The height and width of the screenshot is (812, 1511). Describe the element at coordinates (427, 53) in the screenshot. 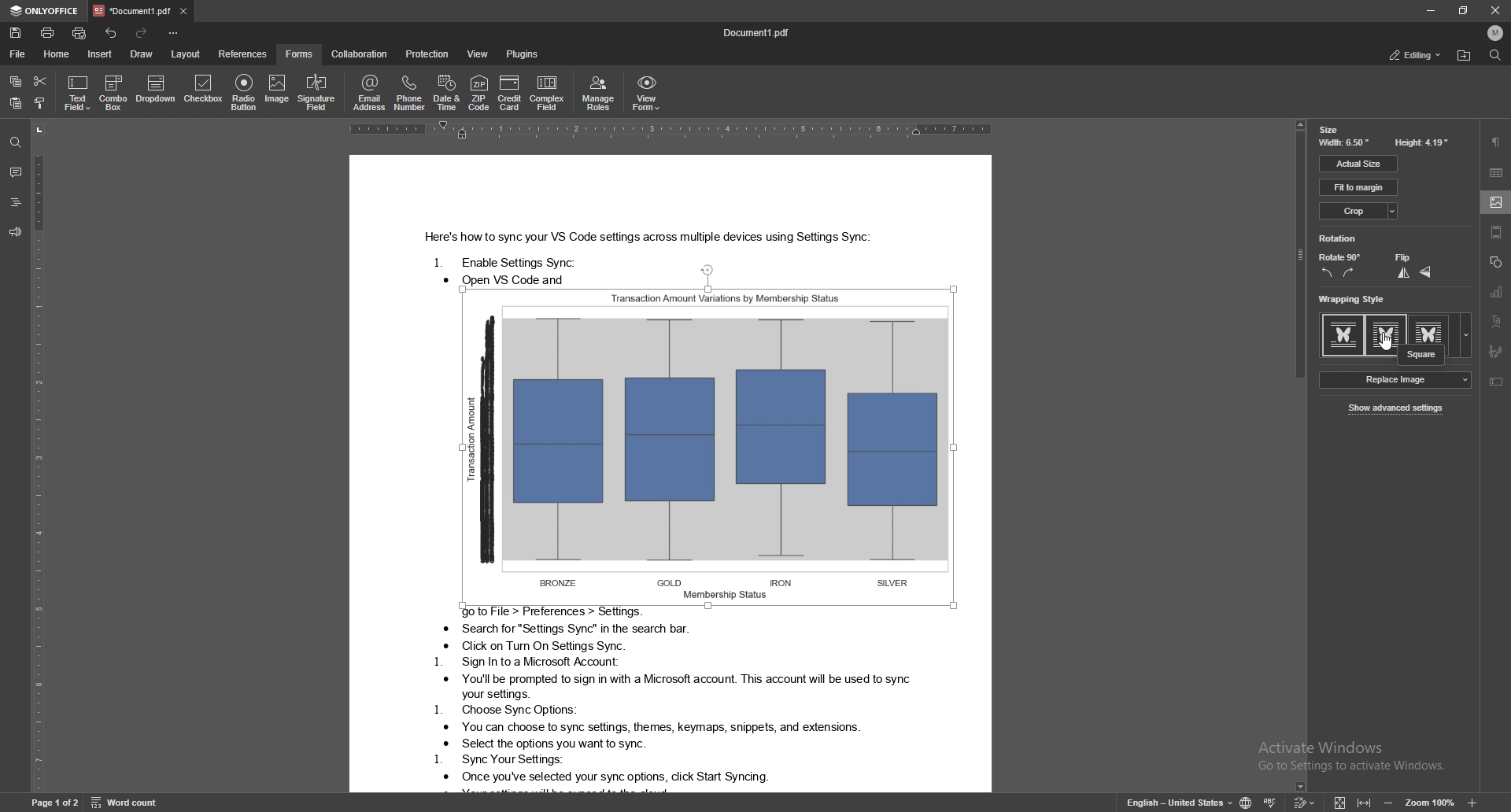

I see `protection` at that location.